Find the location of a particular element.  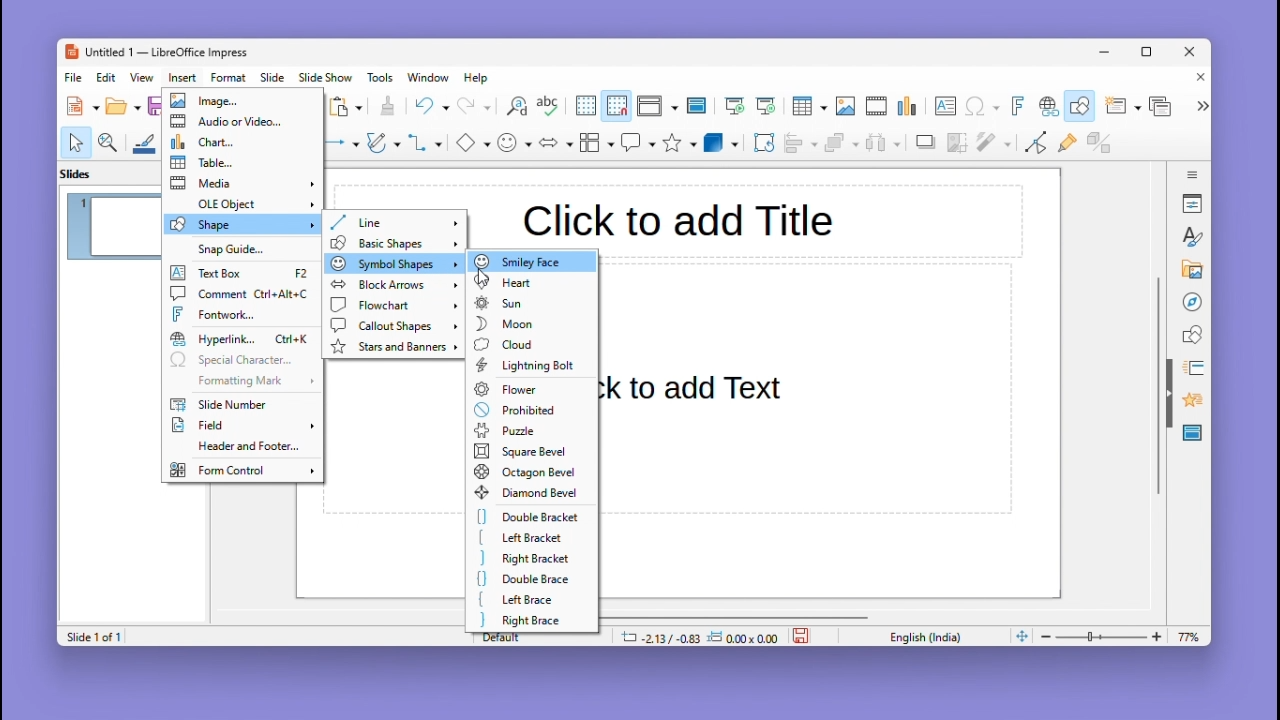

Shadow is located at coordinates (926, 146).